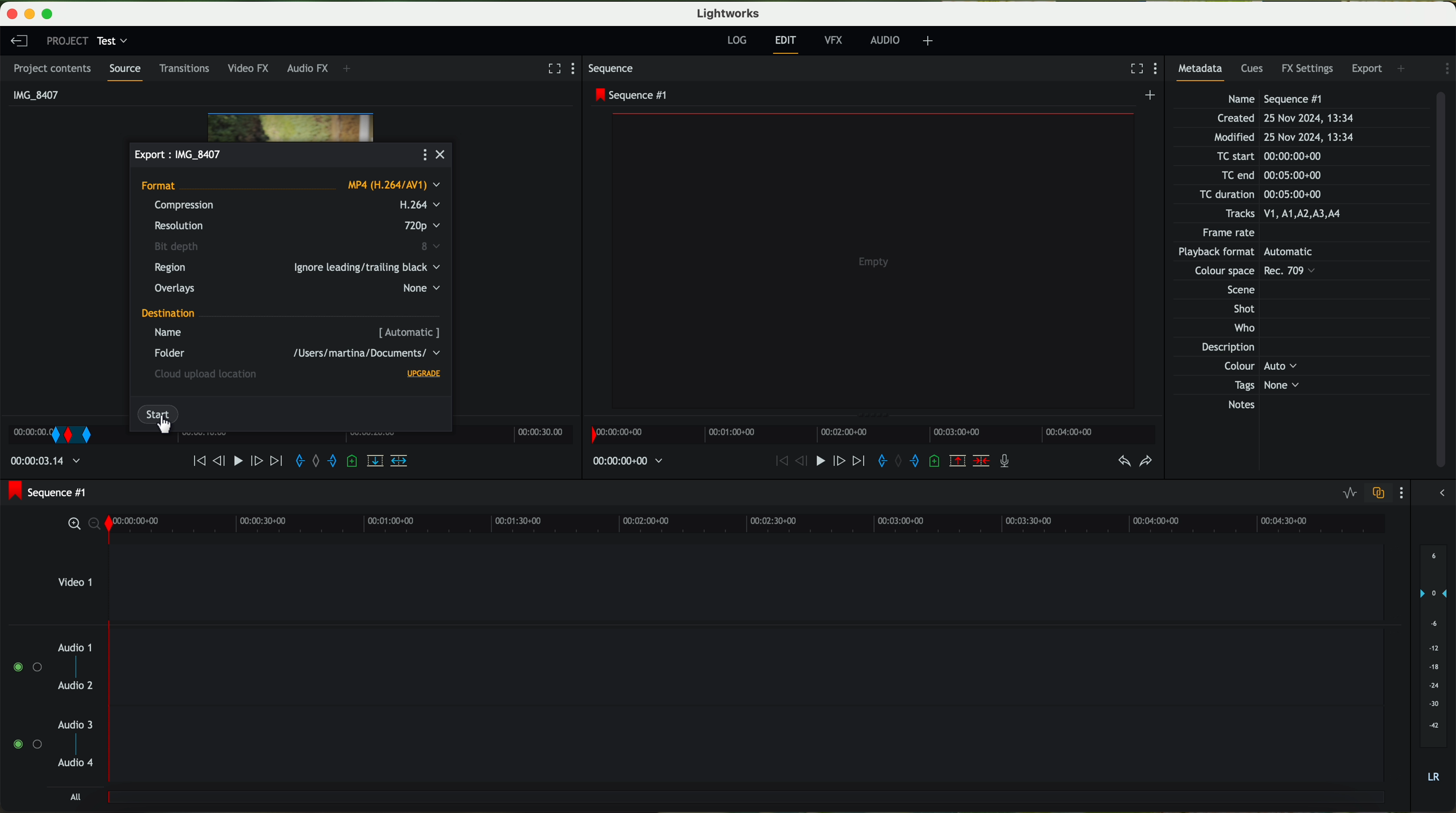  I want to click on Shot, so click(1242, 309).